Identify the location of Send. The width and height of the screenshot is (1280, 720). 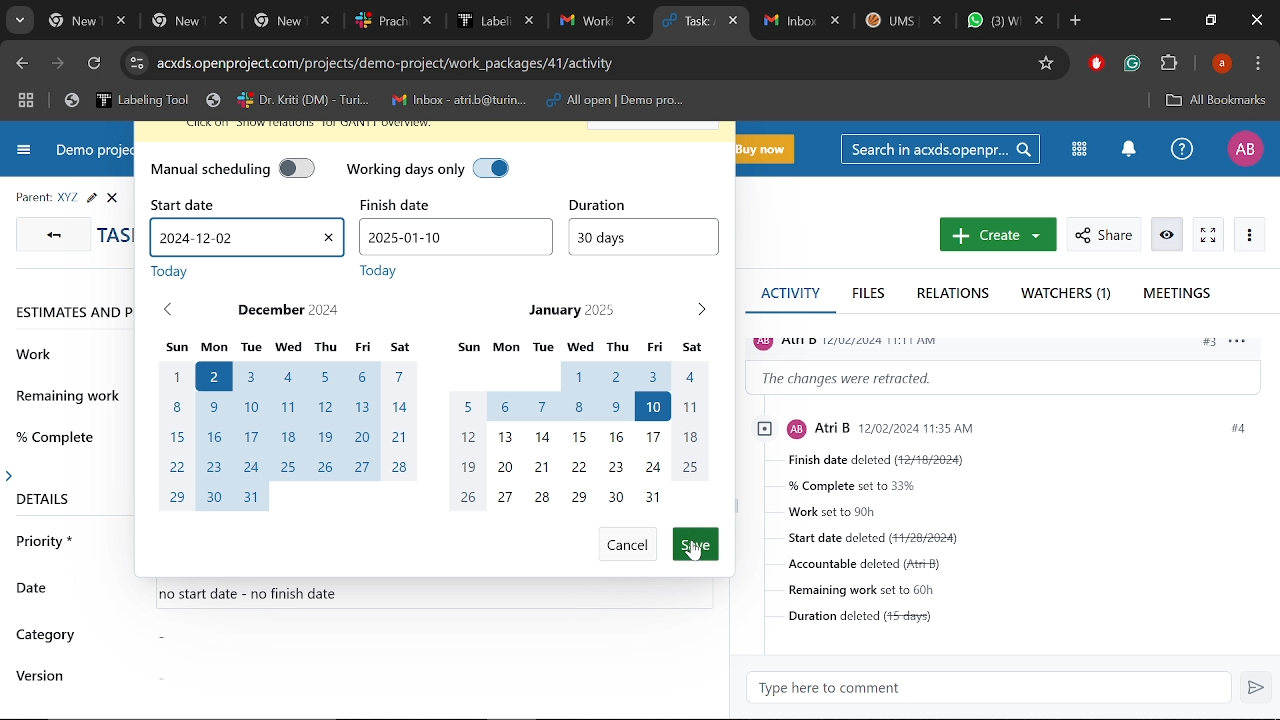
(1255, 687).